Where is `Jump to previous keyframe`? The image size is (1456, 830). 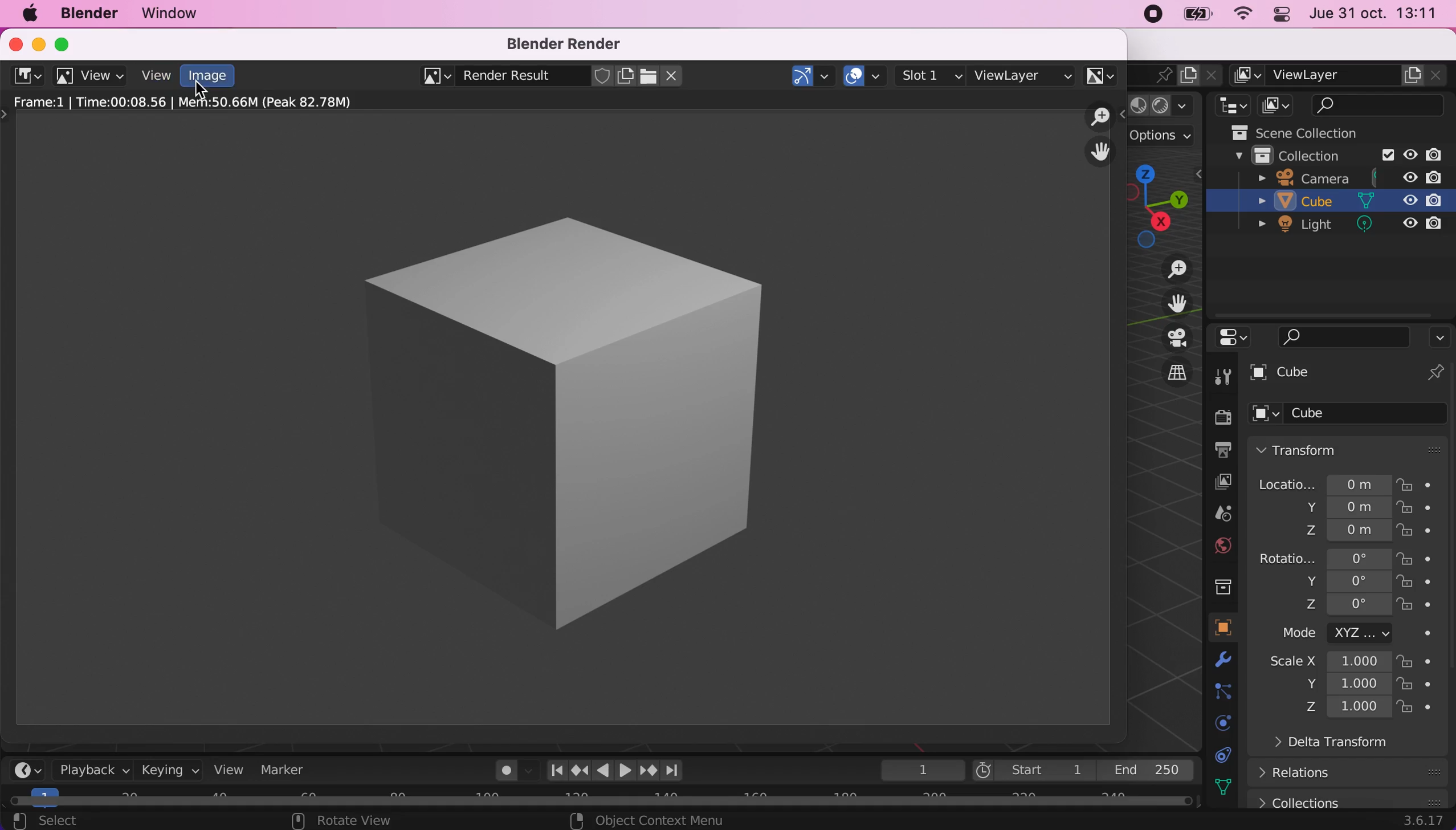 Jump to previous keyframe is located at coordinates (578, 768).